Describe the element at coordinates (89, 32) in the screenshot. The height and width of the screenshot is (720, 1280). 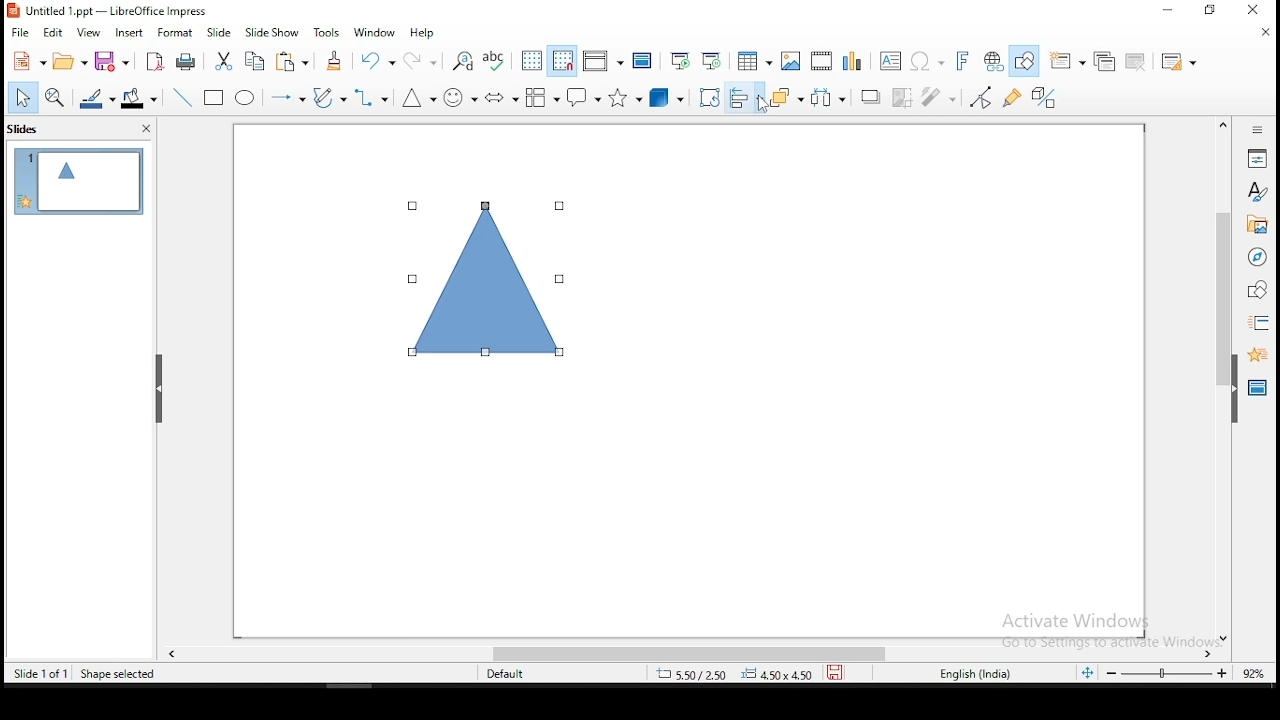
I see `view` at that location.